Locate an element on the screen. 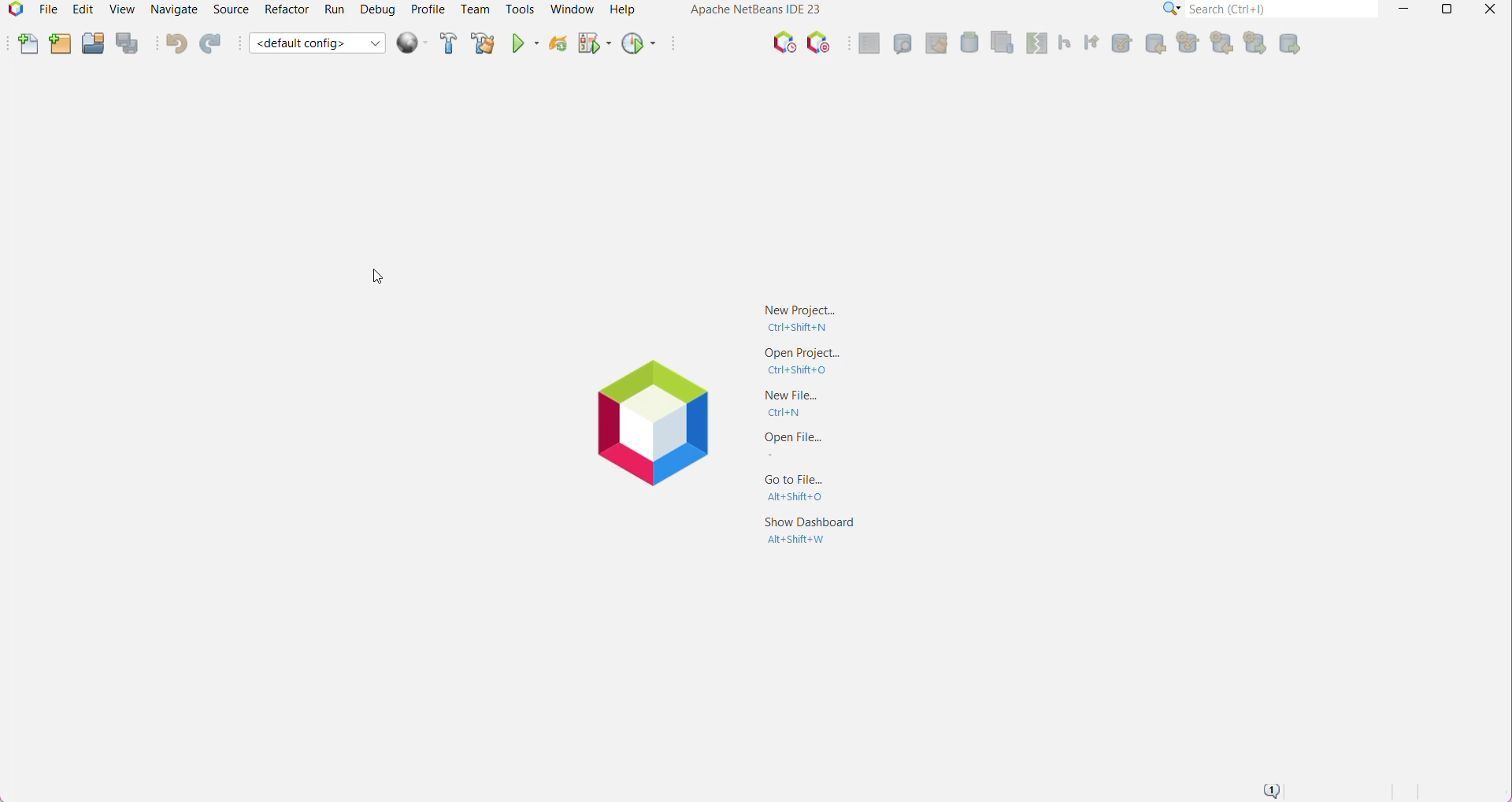  Revert Modifications is located at coordinates (936, 43).